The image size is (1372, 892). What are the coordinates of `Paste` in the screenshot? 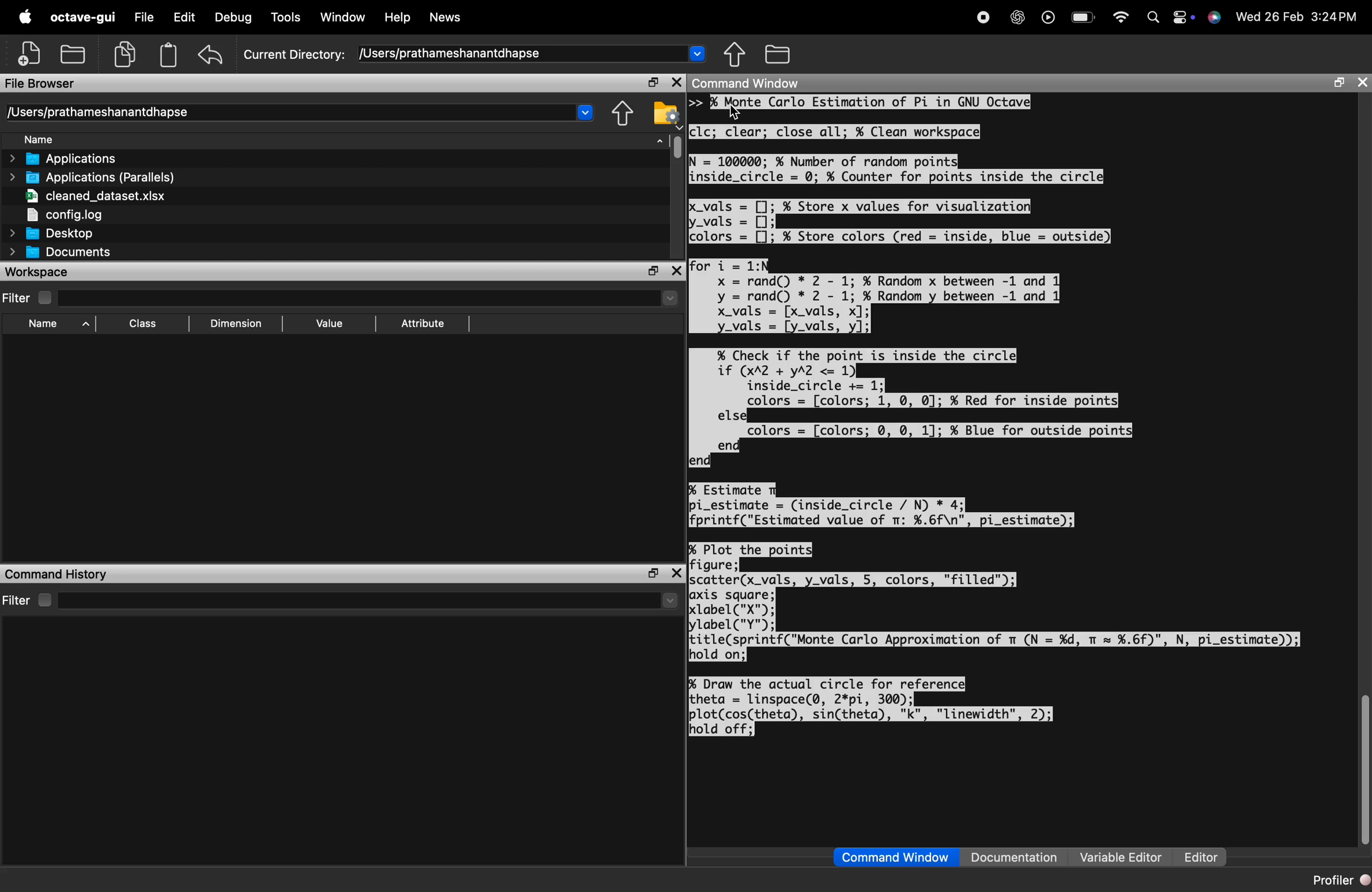 It's located at (168, 54).